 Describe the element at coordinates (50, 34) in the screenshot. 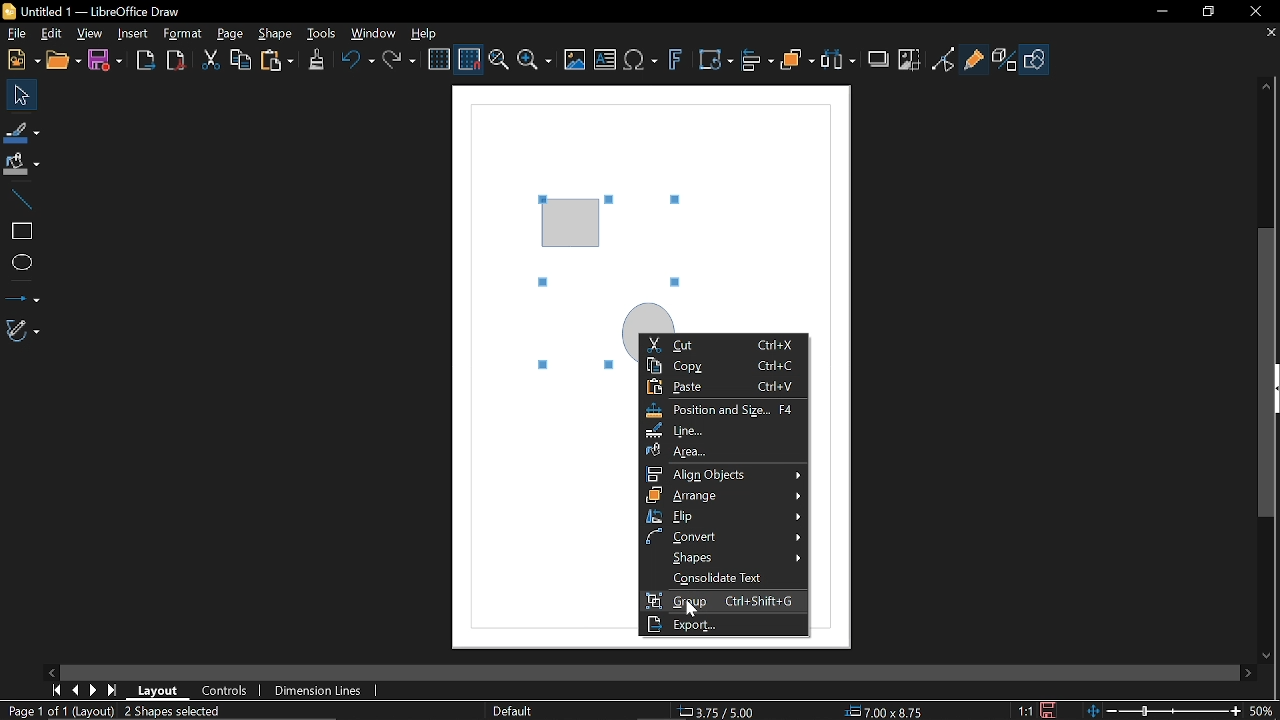

I see `Edit` at that location.